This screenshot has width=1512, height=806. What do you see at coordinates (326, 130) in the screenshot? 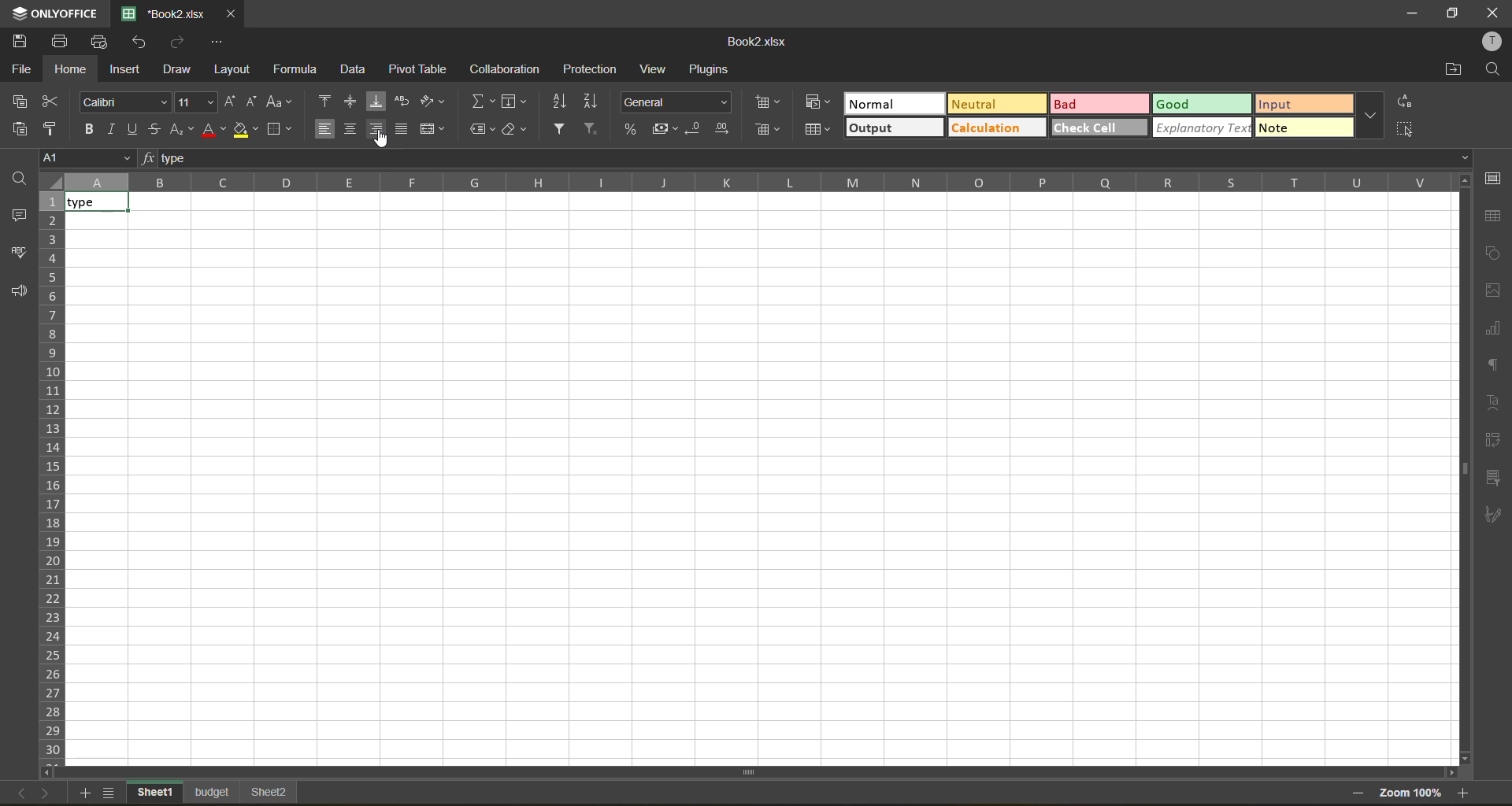
I see `align left` at bounding box center [326, 130].